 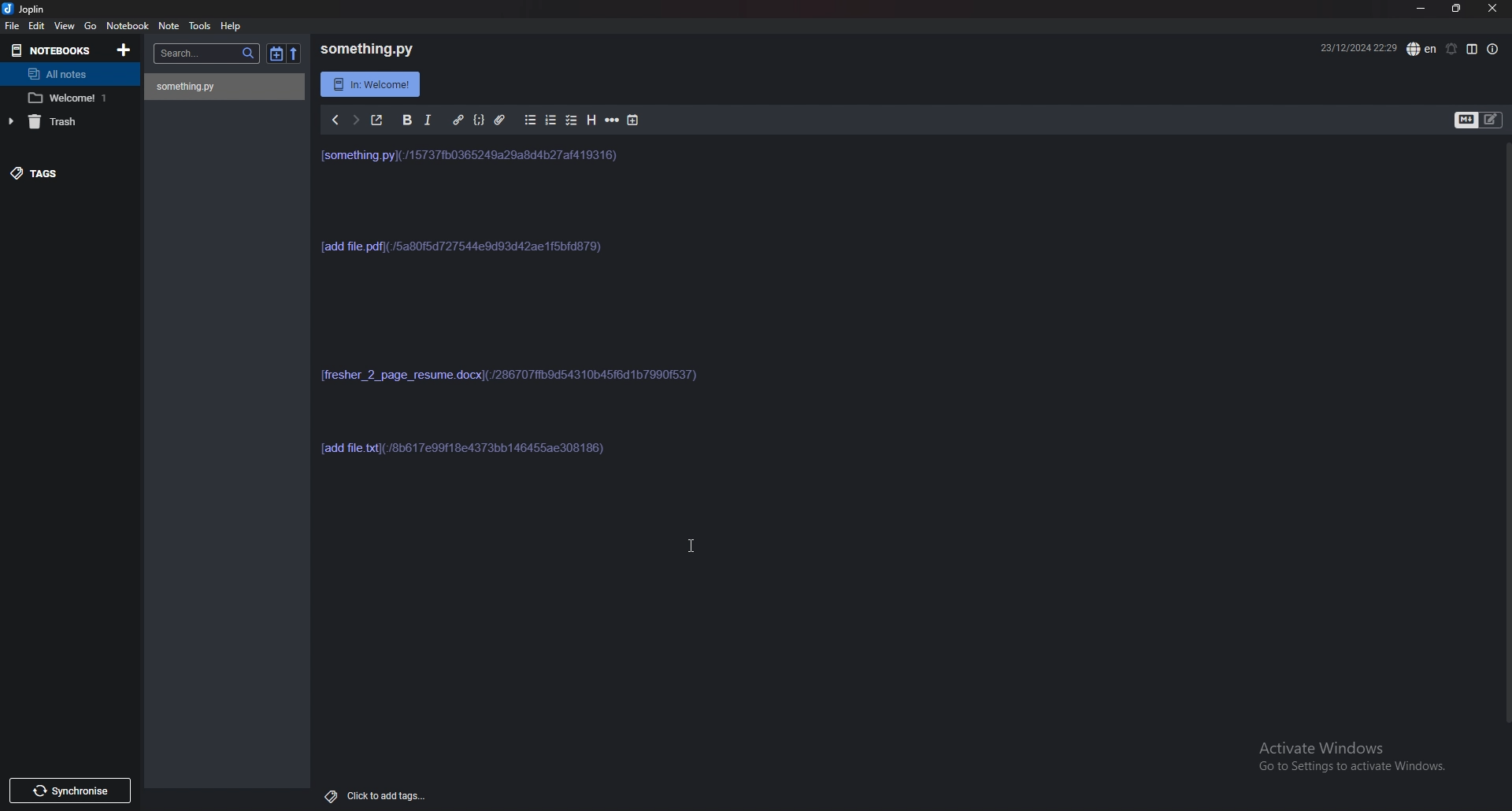 I want to click on view, so click(x=65, y=27).